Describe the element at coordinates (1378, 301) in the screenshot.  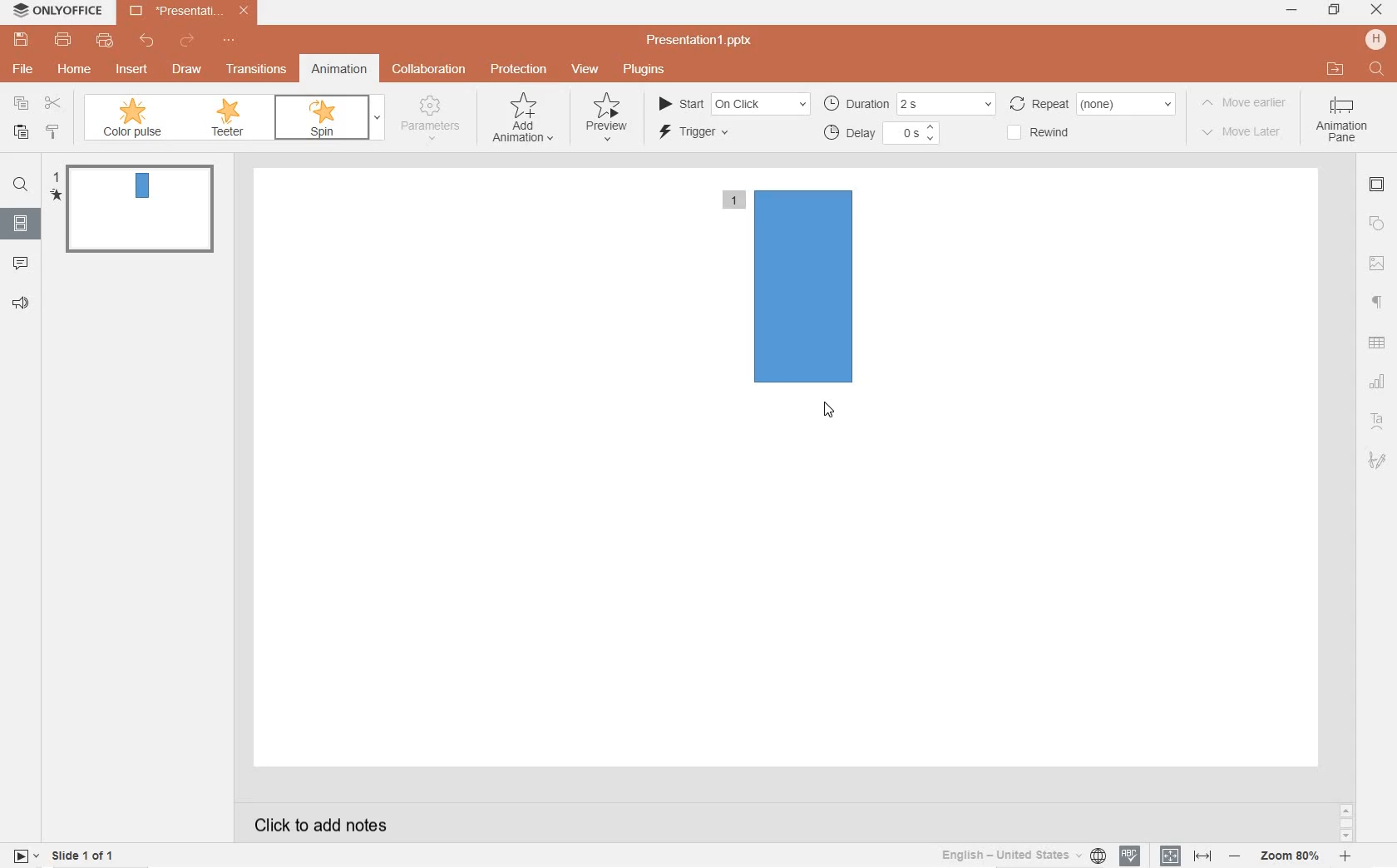
I see `paragraph settings` at that location.